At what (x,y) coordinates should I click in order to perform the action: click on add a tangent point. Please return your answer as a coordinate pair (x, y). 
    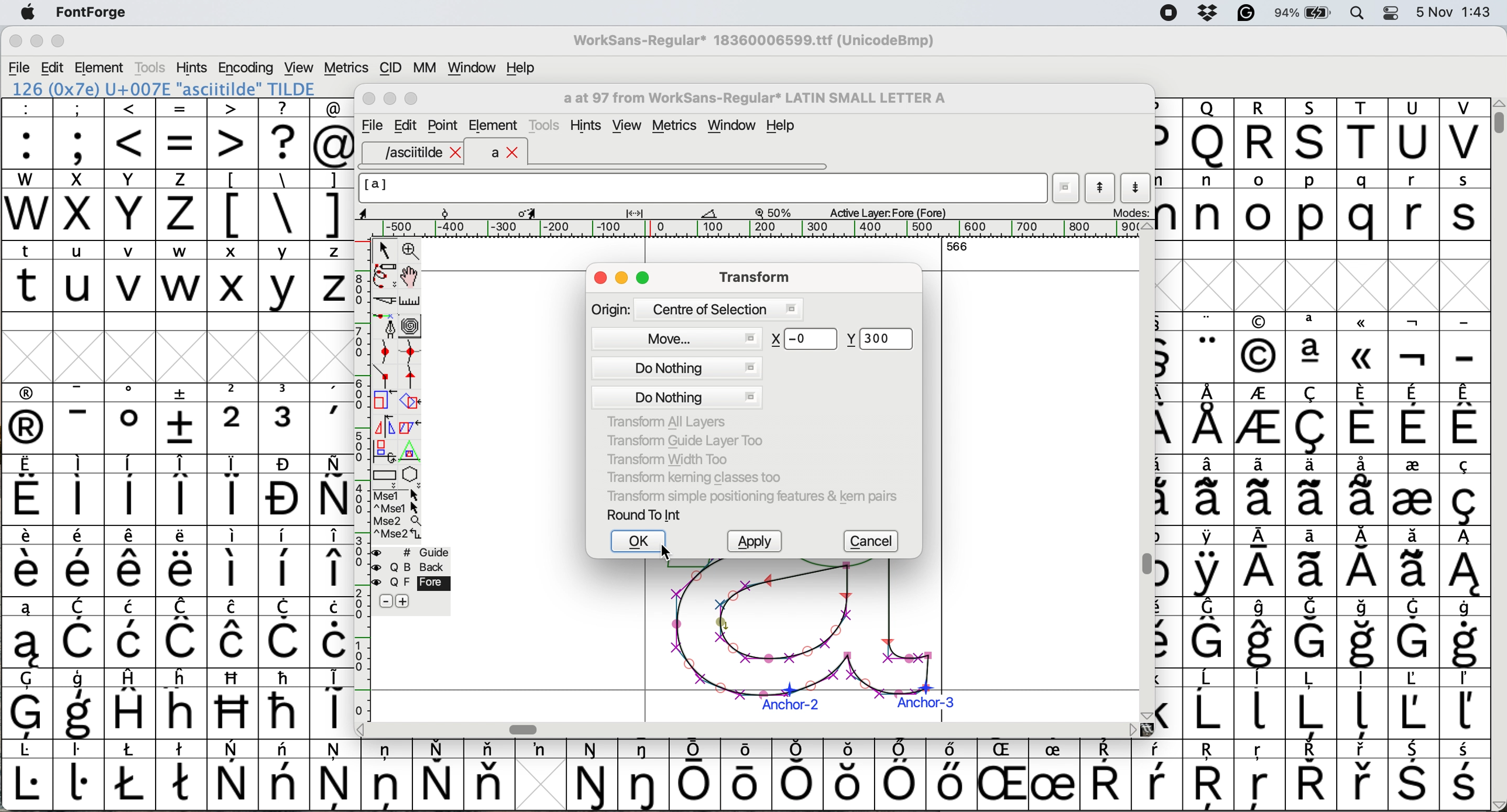
    Looking at the image, I should click on (413, 376).